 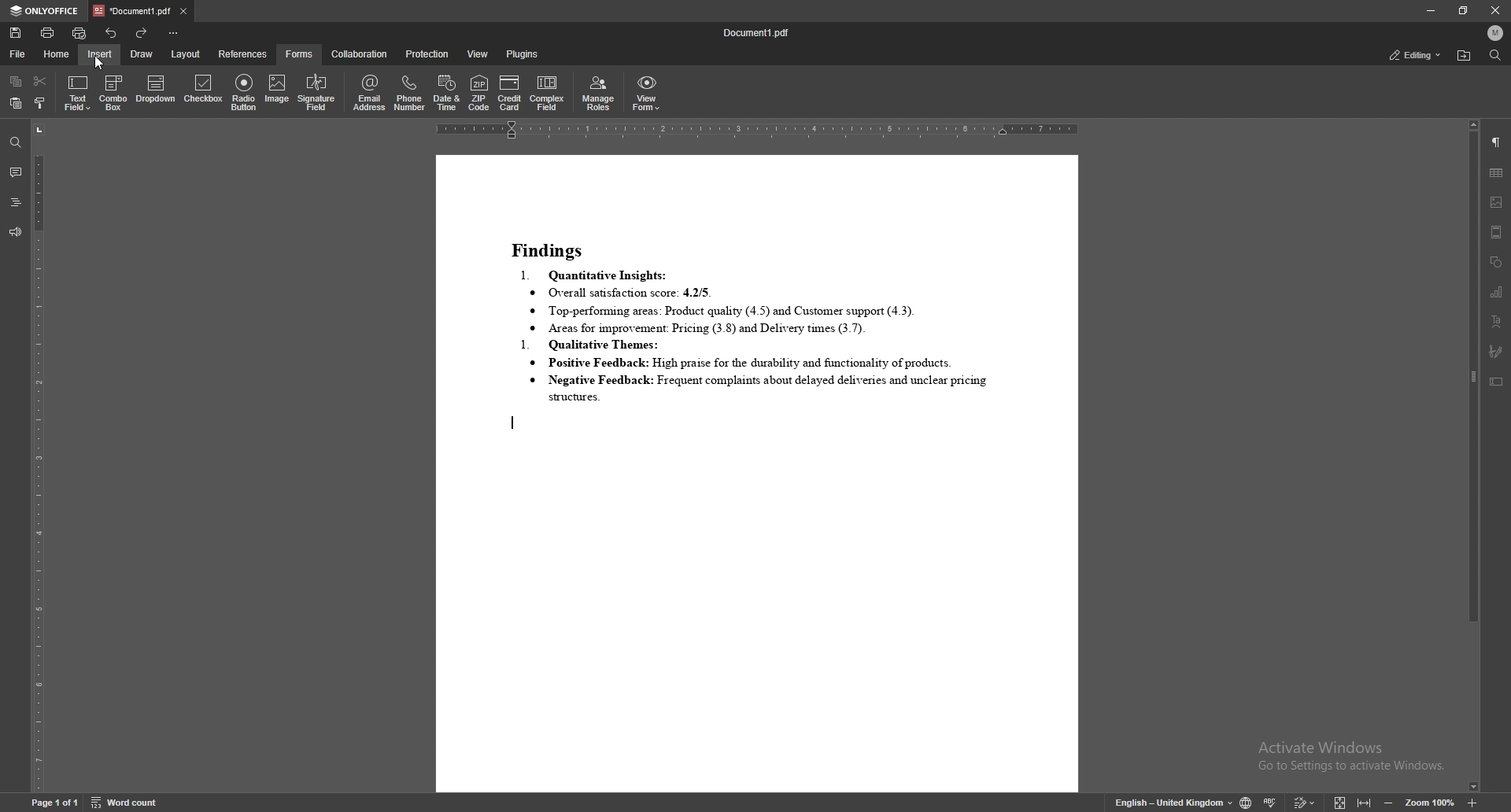 I want to click on zoom in, so click(x=1472, y=803).